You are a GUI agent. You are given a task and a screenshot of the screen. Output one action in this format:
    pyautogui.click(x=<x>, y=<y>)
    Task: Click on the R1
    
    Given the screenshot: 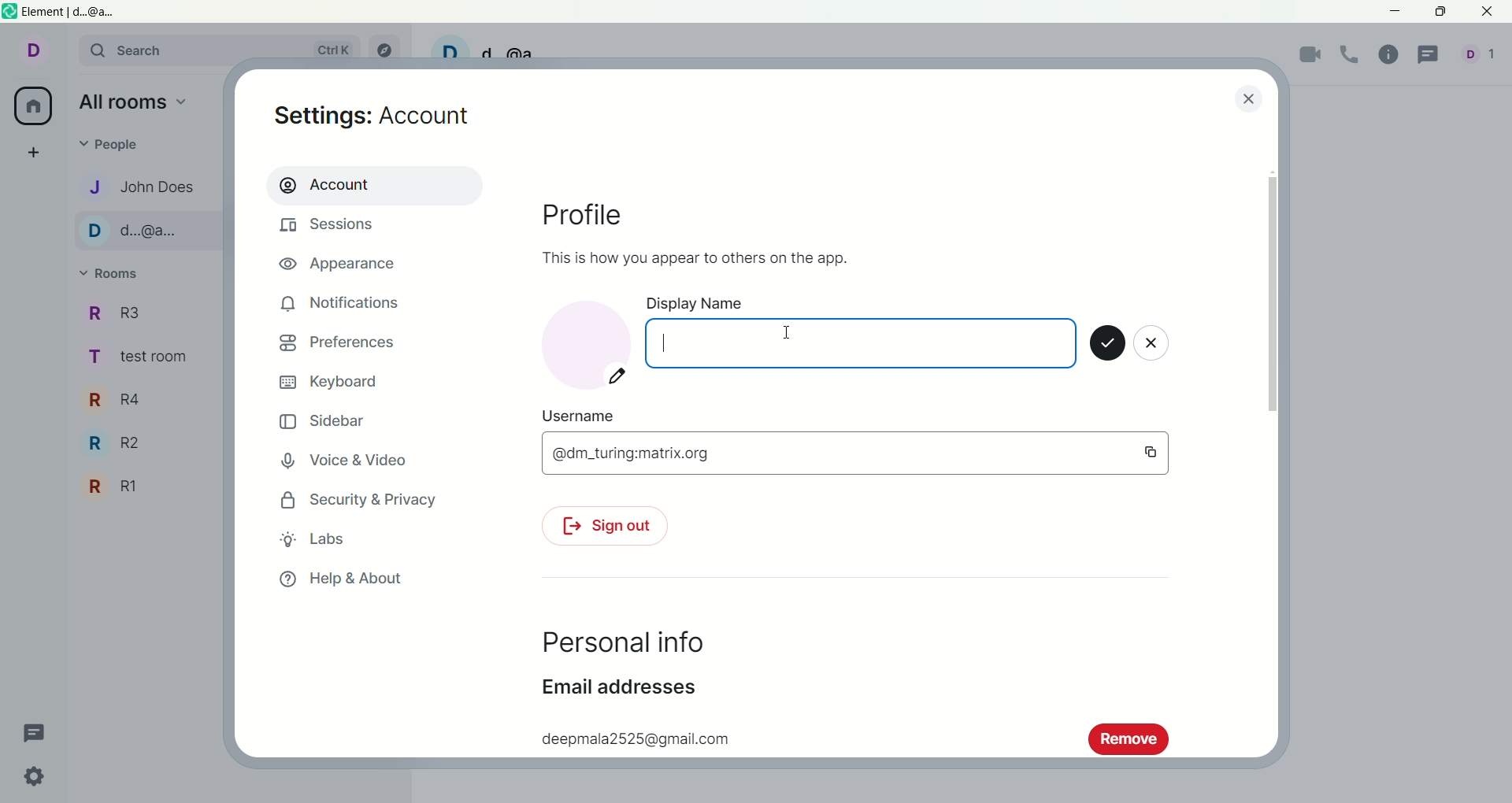 What is the action you would take?
    pyautogui.click(x=115, y=487)
    